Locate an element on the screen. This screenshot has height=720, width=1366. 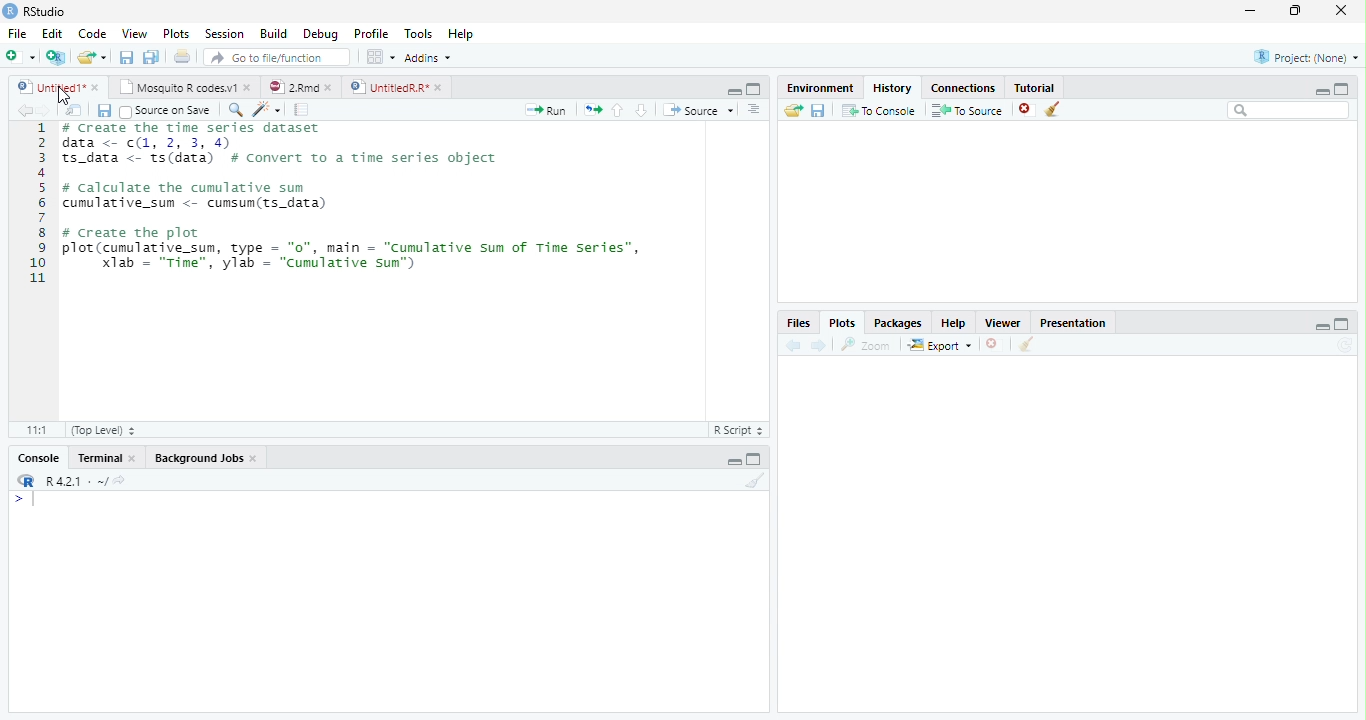
Build is located at coordinates (271, 35).